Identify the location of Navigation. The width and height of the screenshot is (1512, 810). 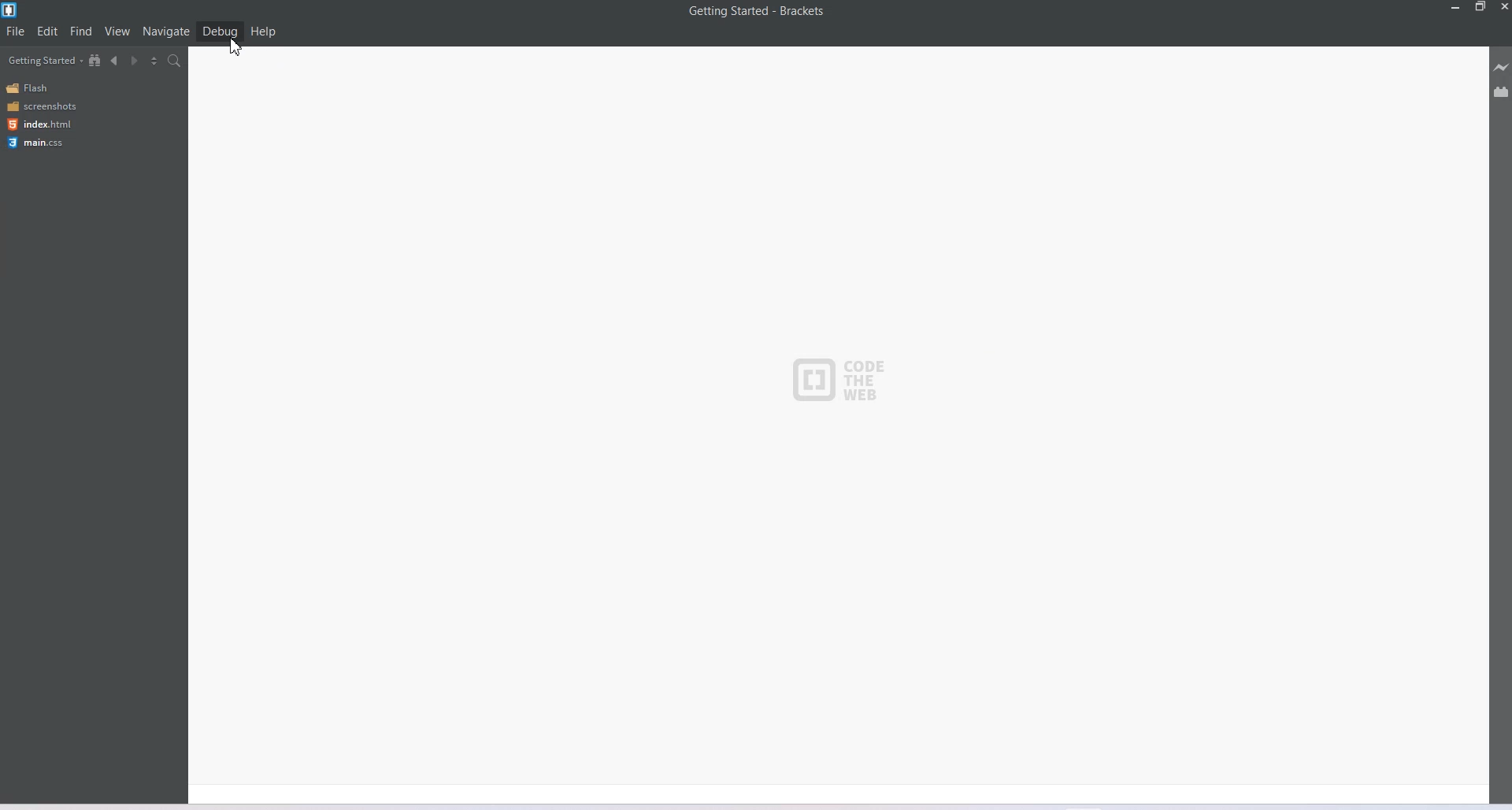
(167, 31).